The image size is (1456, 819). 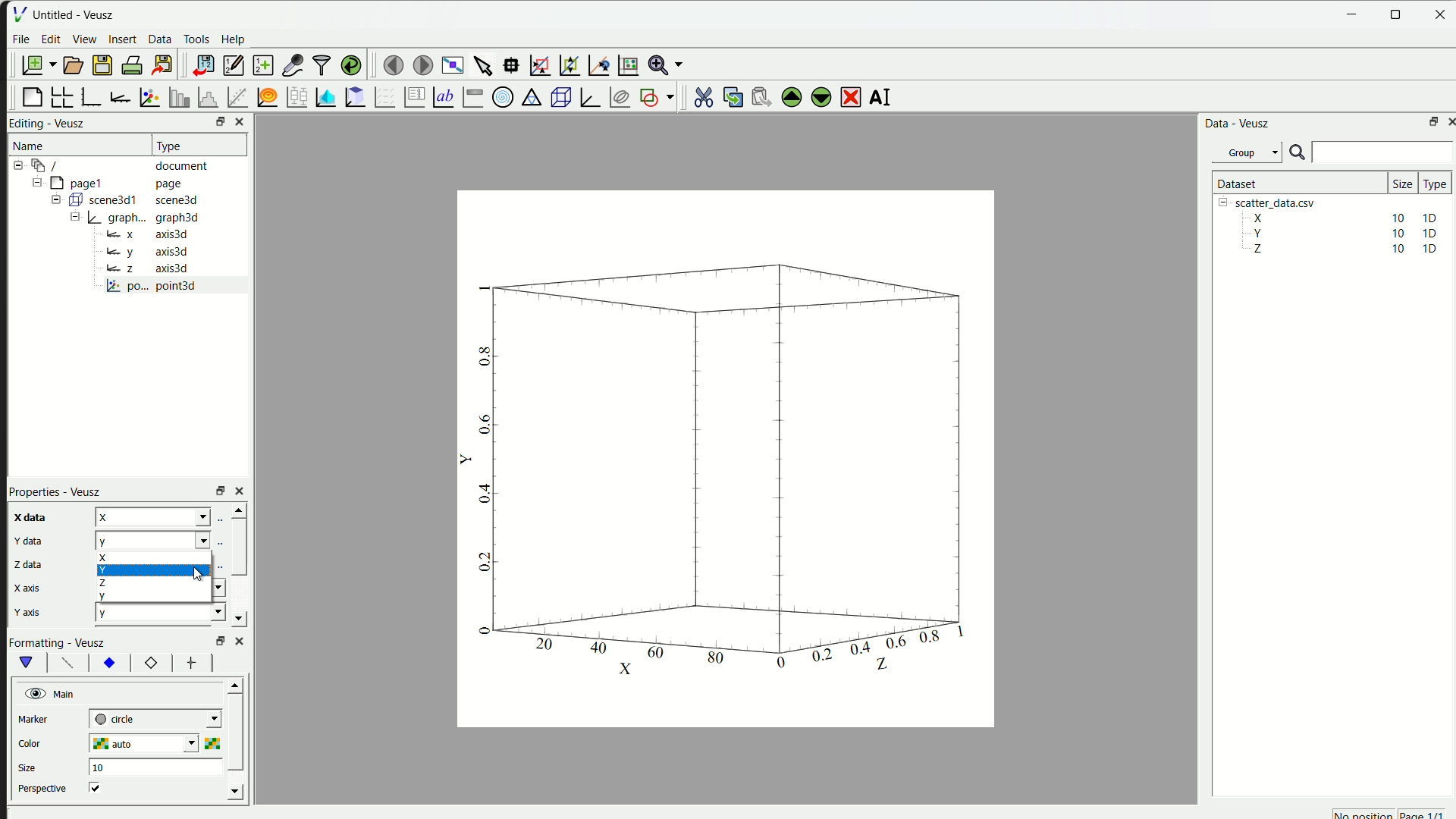 What do you see at coordinates (1430, 120) in the screenshot?
I see `maximize` at bounding box center [1430, 120].